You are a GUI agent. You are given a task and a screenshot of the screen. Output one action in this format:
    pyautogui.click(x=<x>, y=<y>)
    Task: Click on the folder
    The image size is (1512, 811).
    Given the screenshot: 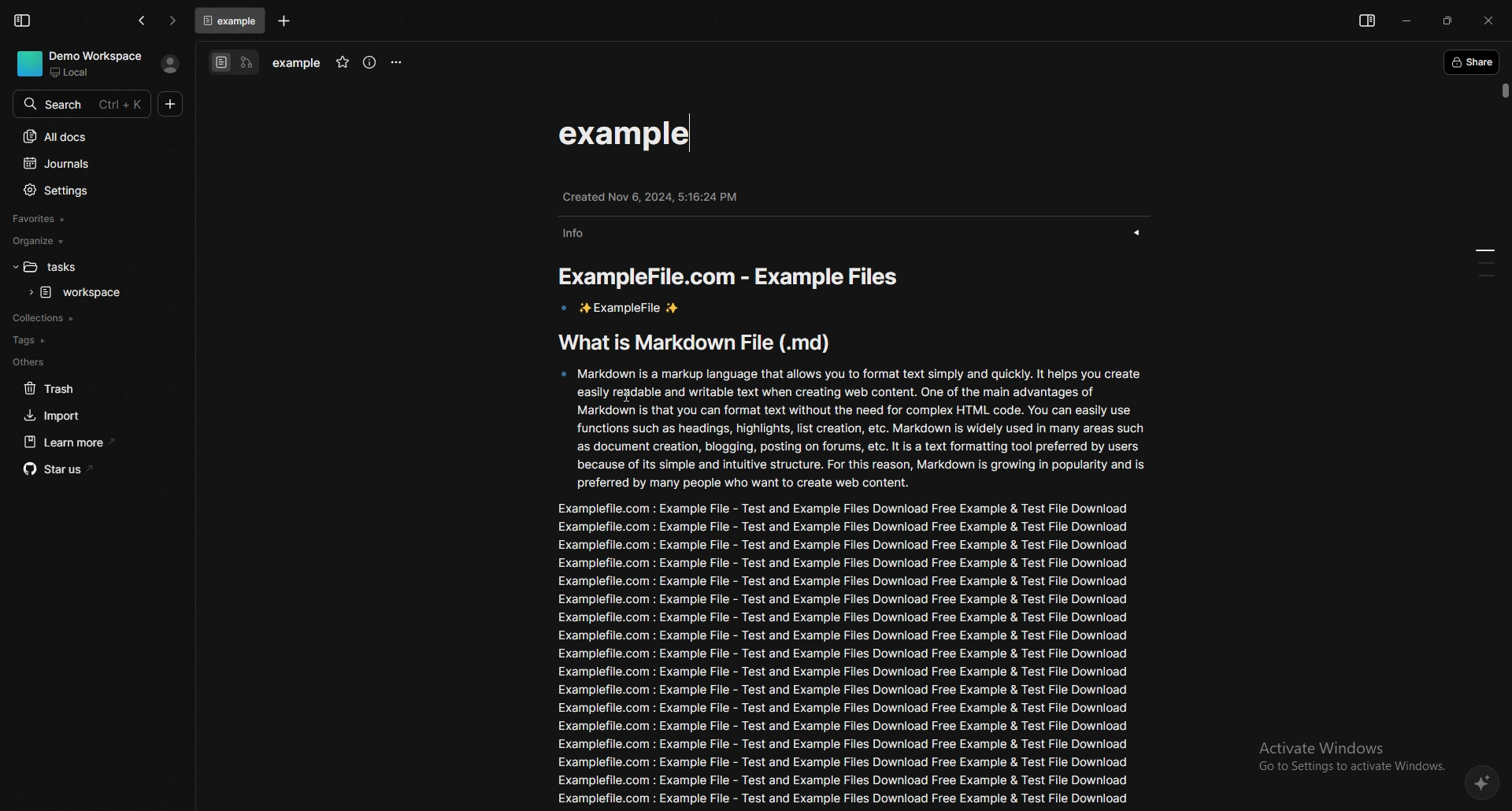 What is the action you would take?
    pyautogui.click(x=88, y=267)
    